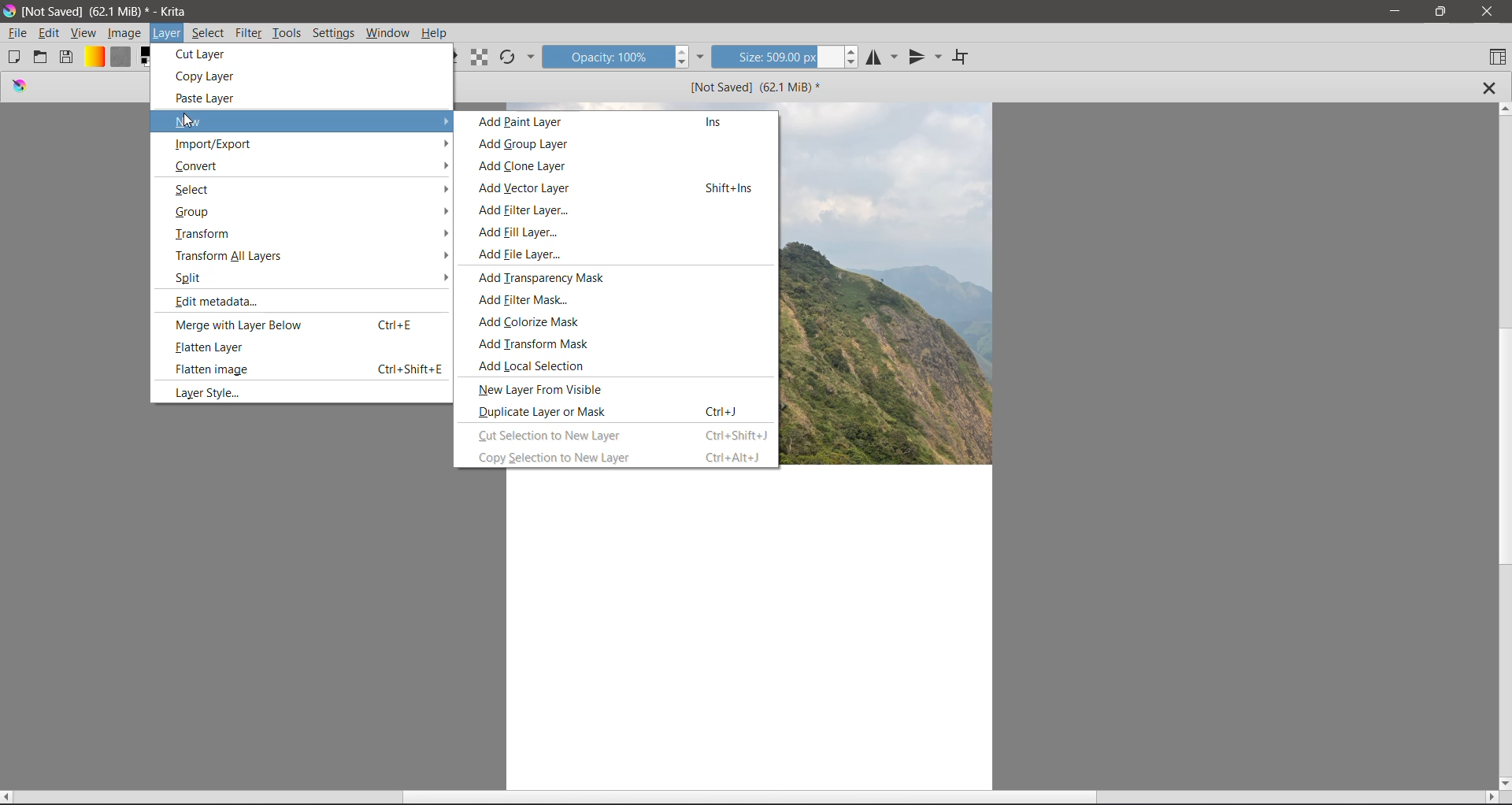 This screenshot has width=1512, height=805. Describe the element at coordinates (190, 121) in the screenshot. I see `cursor` at that location.